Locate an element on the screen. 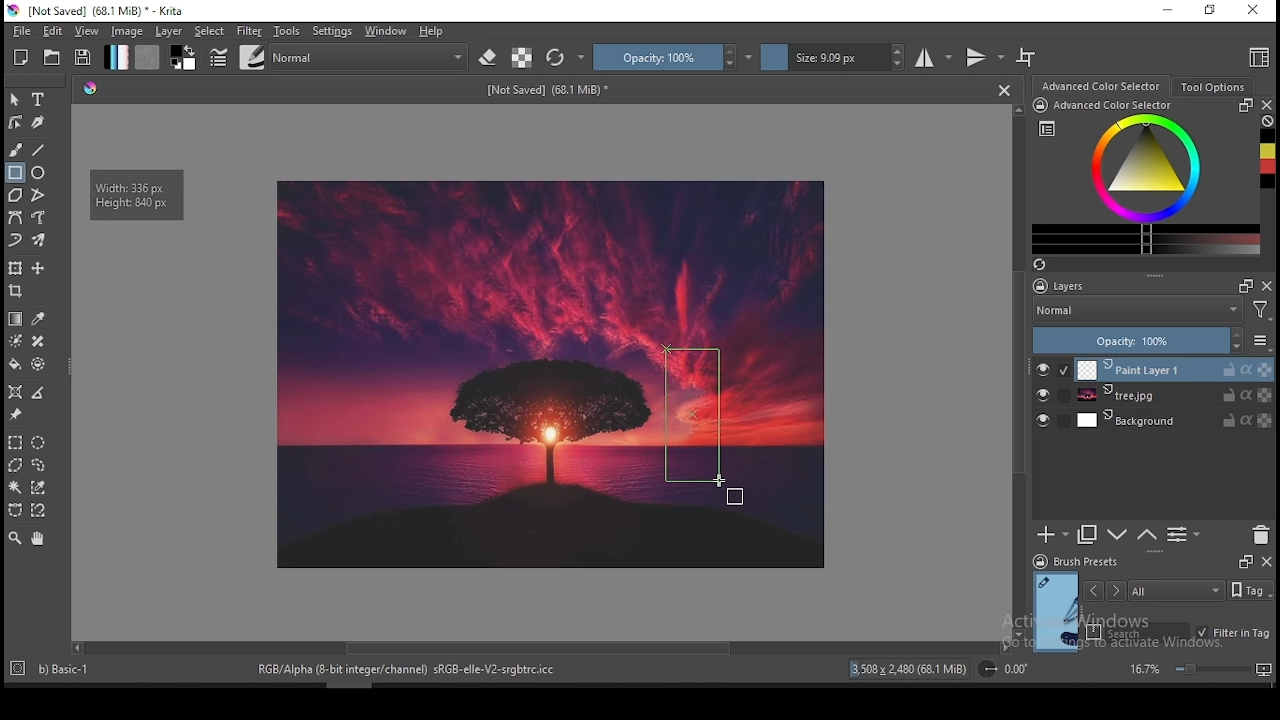 The width and height of the screenshot is (1280, 720). zoom tool is located at coordinates (15, 539).